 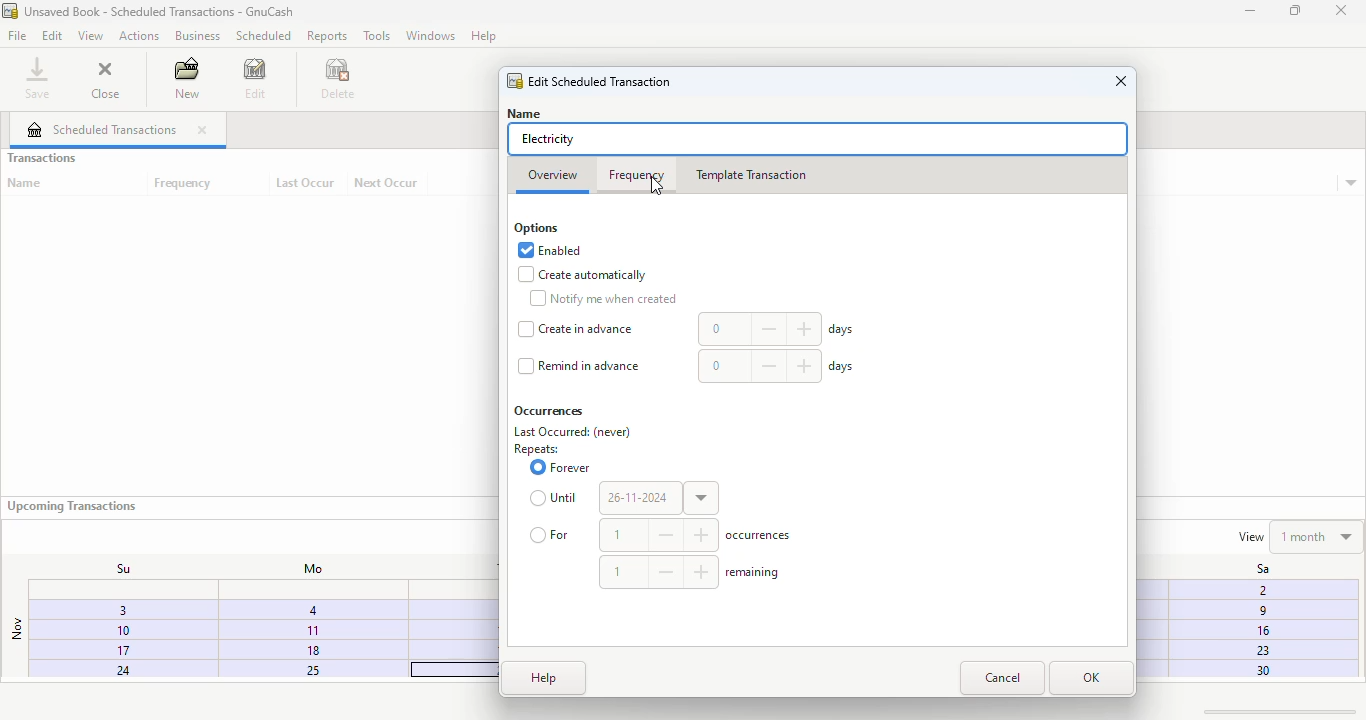 I want to click on Mo, so click(x=307, y=569).